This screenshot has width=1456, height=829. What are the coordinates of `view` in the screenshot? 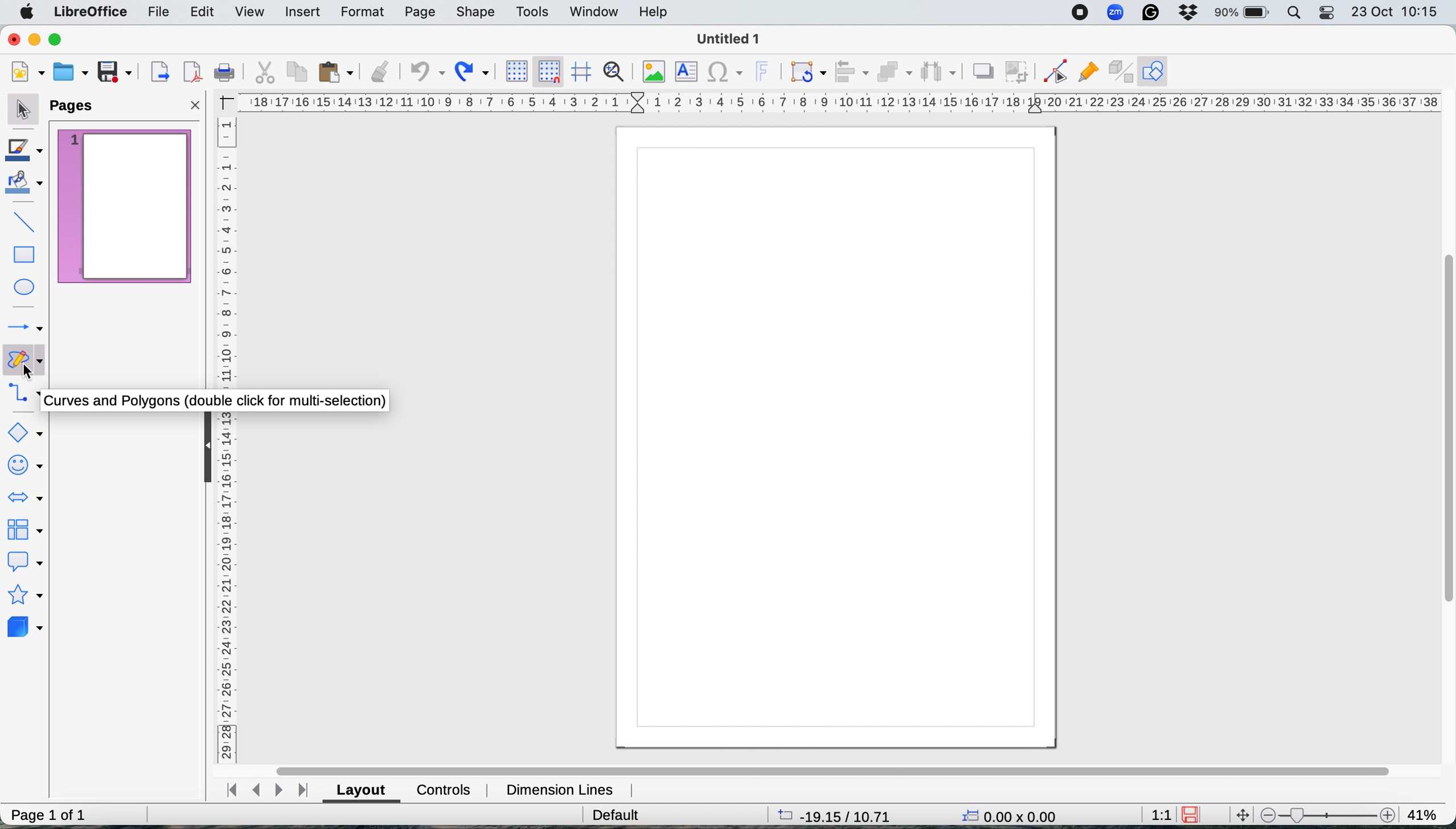 It's located at (251, 11).